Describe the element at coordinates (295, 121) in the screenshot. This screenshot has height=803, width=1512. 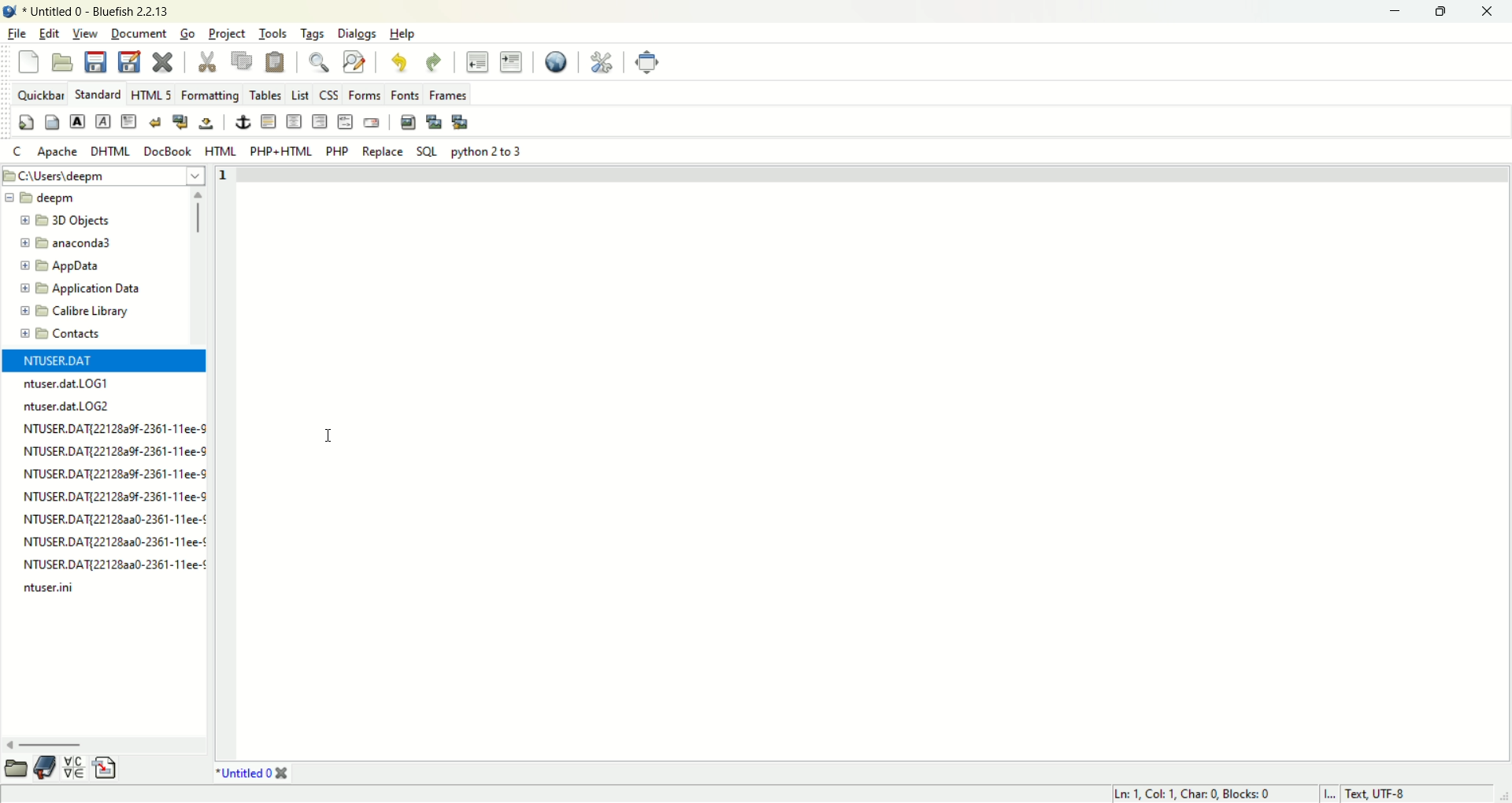
I see `center` at that location.